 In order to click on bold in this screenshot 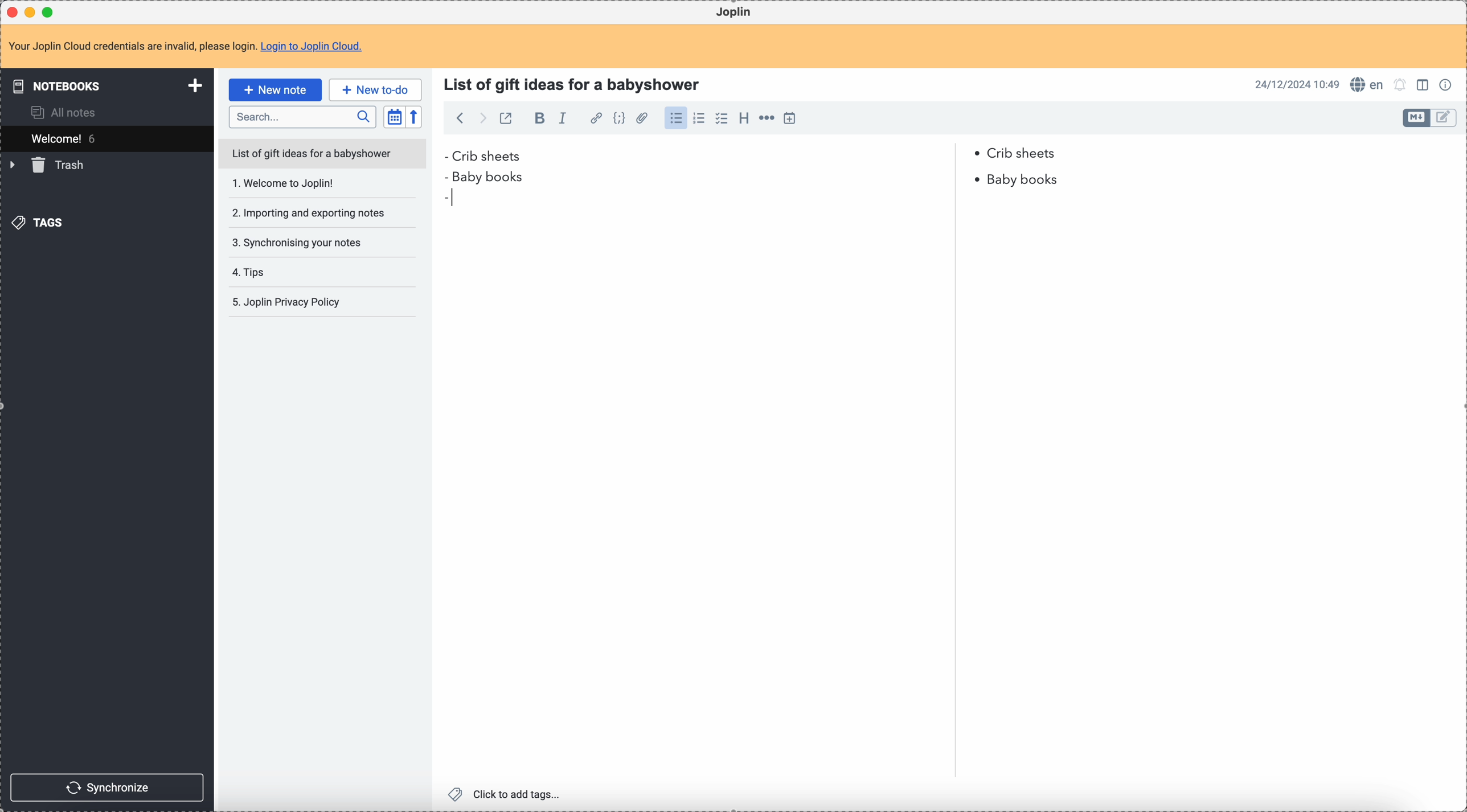, I will do `click(539, 120)`.